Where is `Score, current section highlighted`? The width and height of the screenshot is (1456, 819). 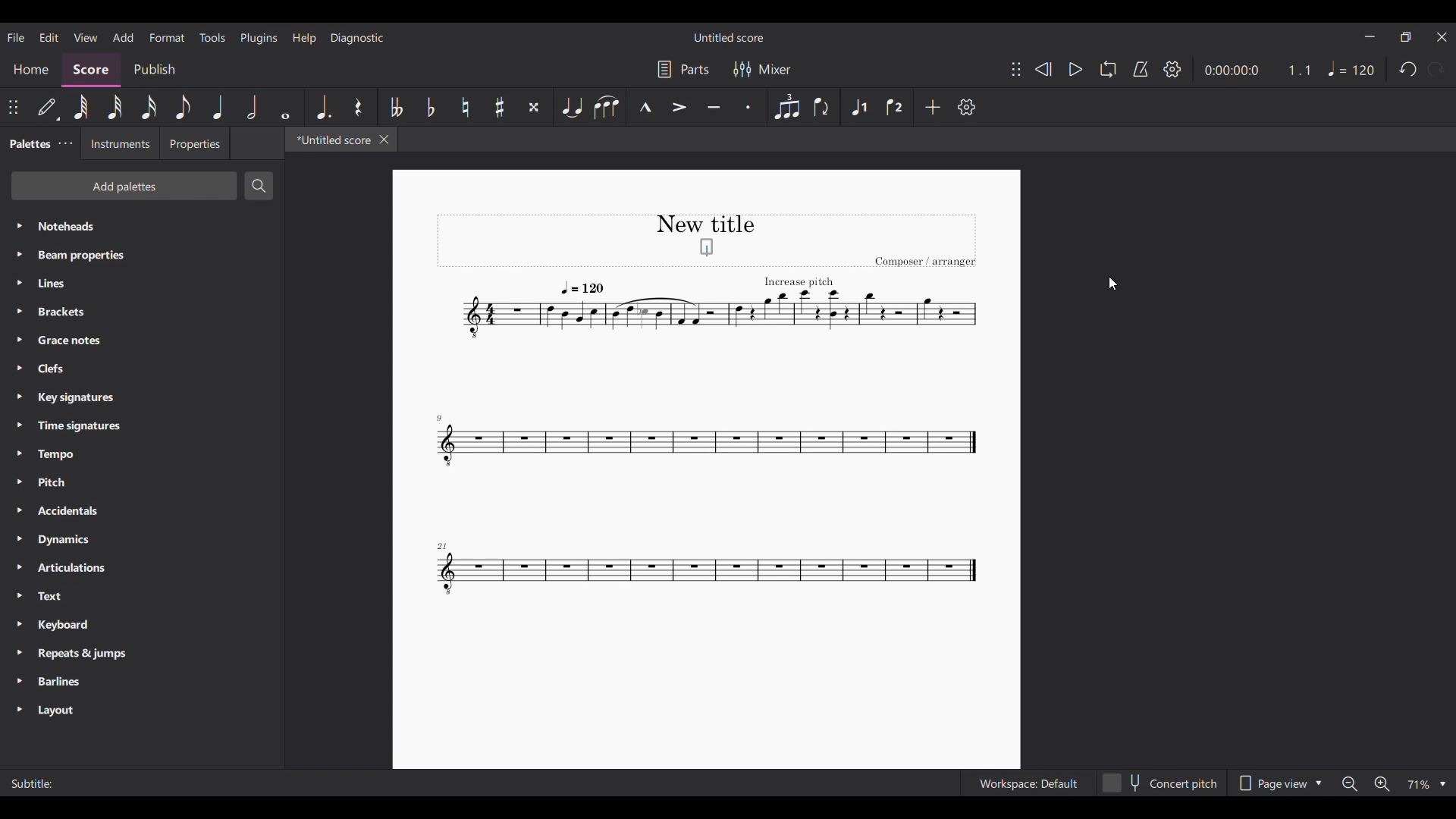 Score, current section highlighted is located at coordinates (91, 70).